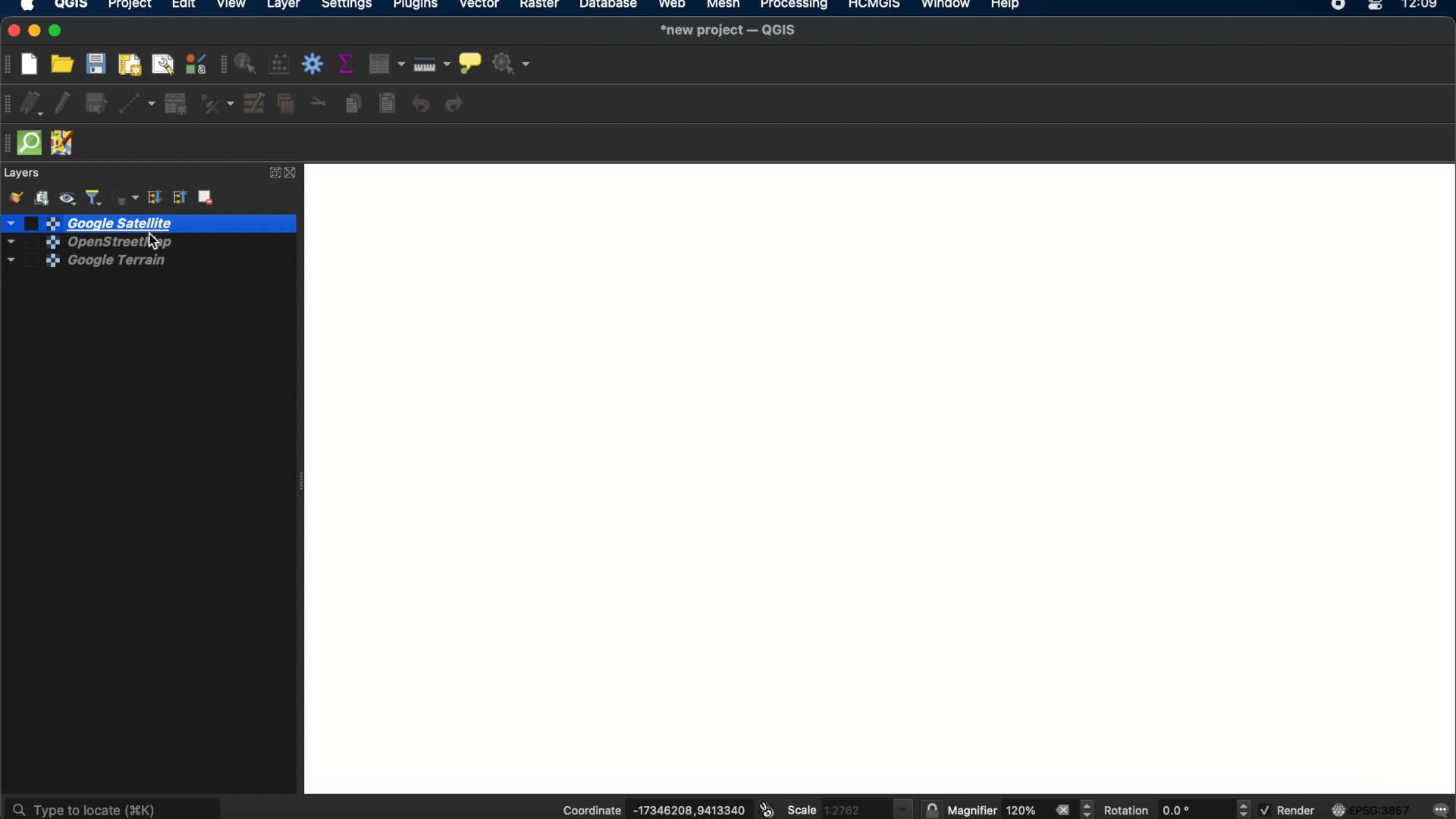 This screenshot has width=1456, height=819. Describe the element at coordinates (70, 196) in the screenshot. I see `manage map themes` at that location.